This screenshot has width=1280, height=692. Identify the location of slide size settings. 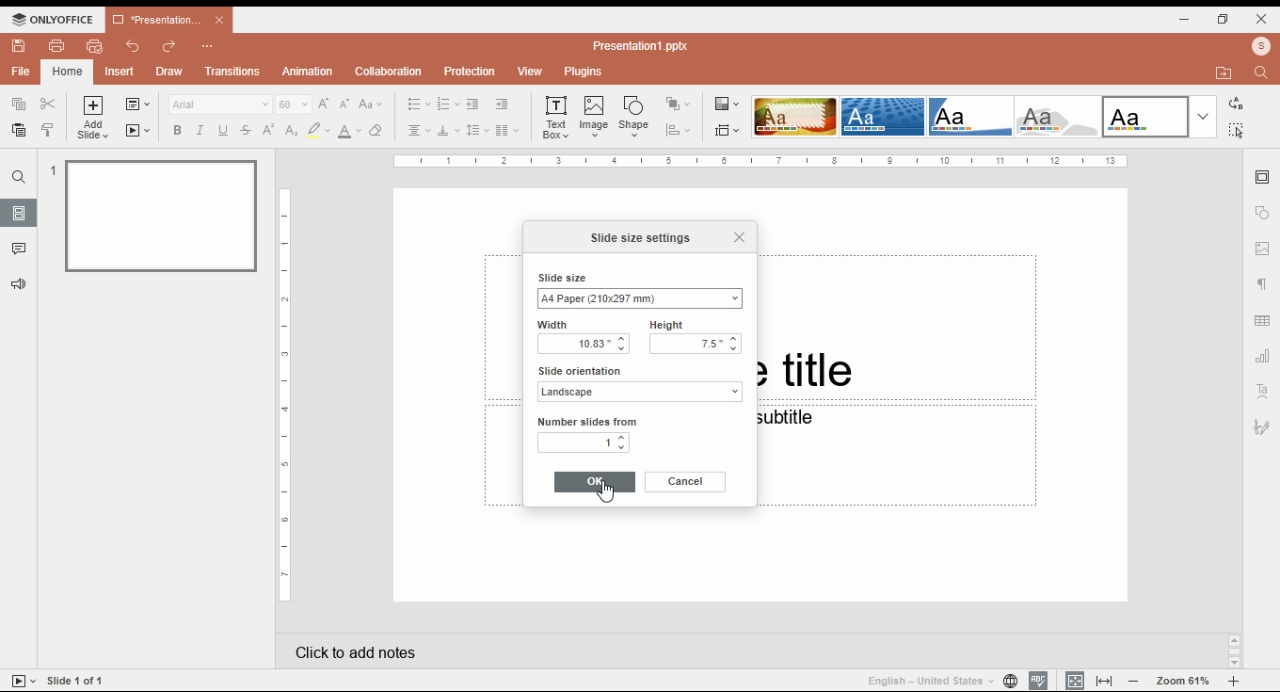
(640, 238).